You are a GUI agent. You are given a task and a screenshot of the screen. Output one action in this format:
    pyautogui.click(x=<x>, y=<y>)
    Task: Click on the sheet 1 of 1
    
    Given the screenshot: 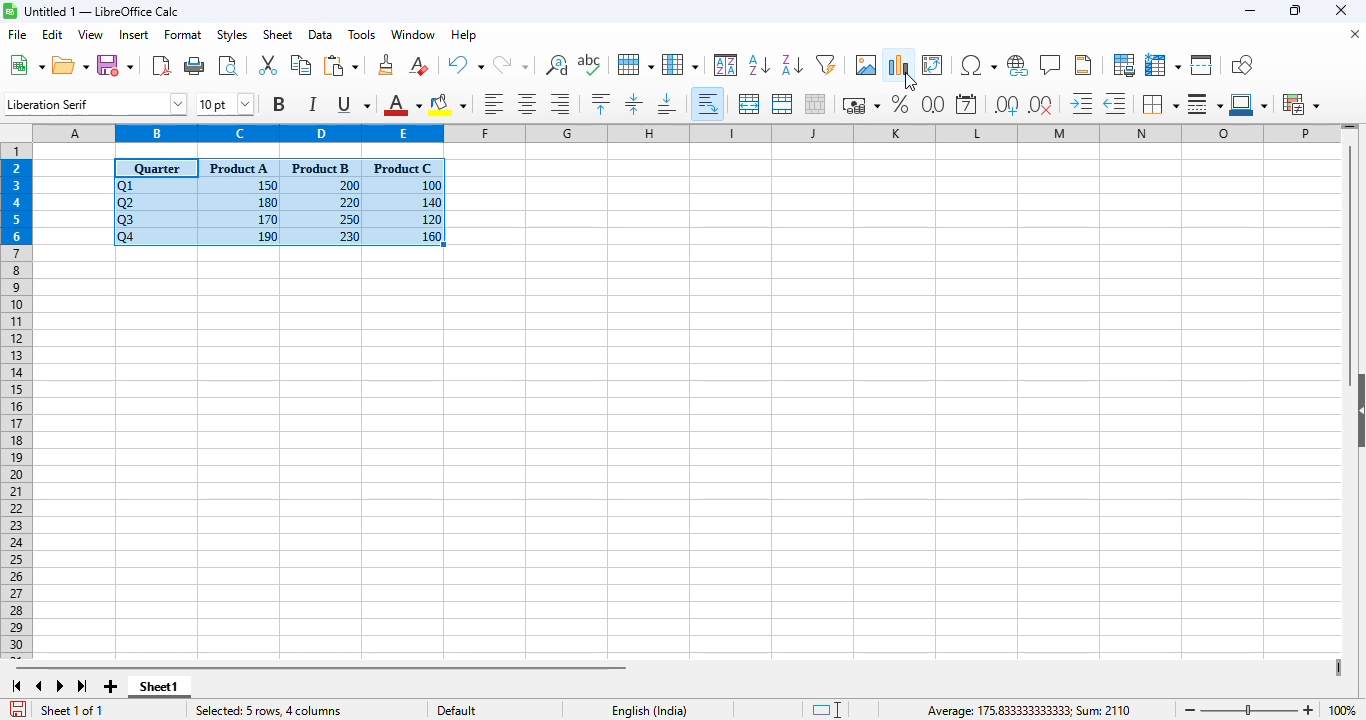 What is the action you would take?
    pyautogui.click(x=73, y=711)
    